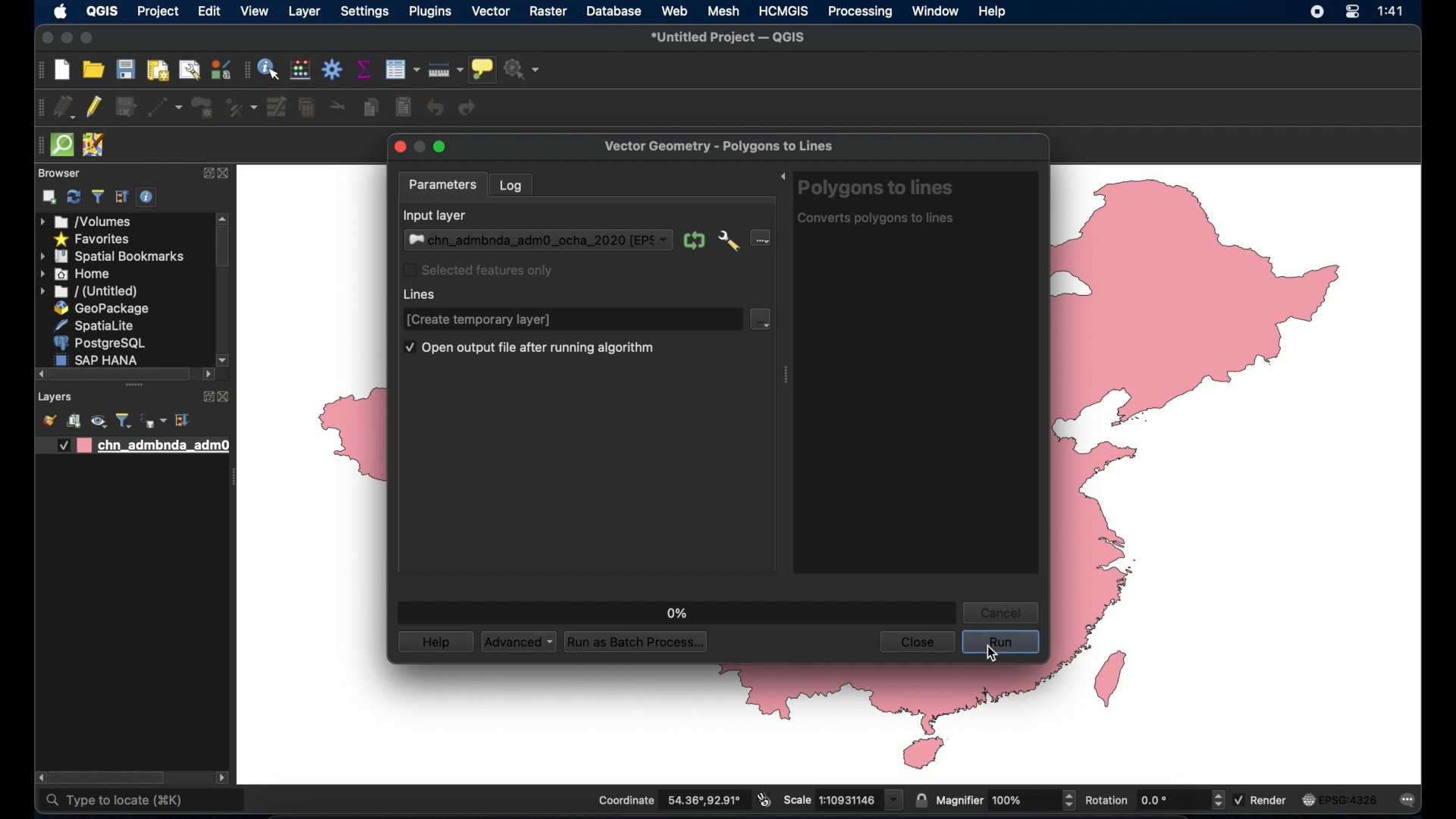  What do you see at coordinates (435, 108) in the screenshot?
I see `undo` at bounding box center [435, 108].